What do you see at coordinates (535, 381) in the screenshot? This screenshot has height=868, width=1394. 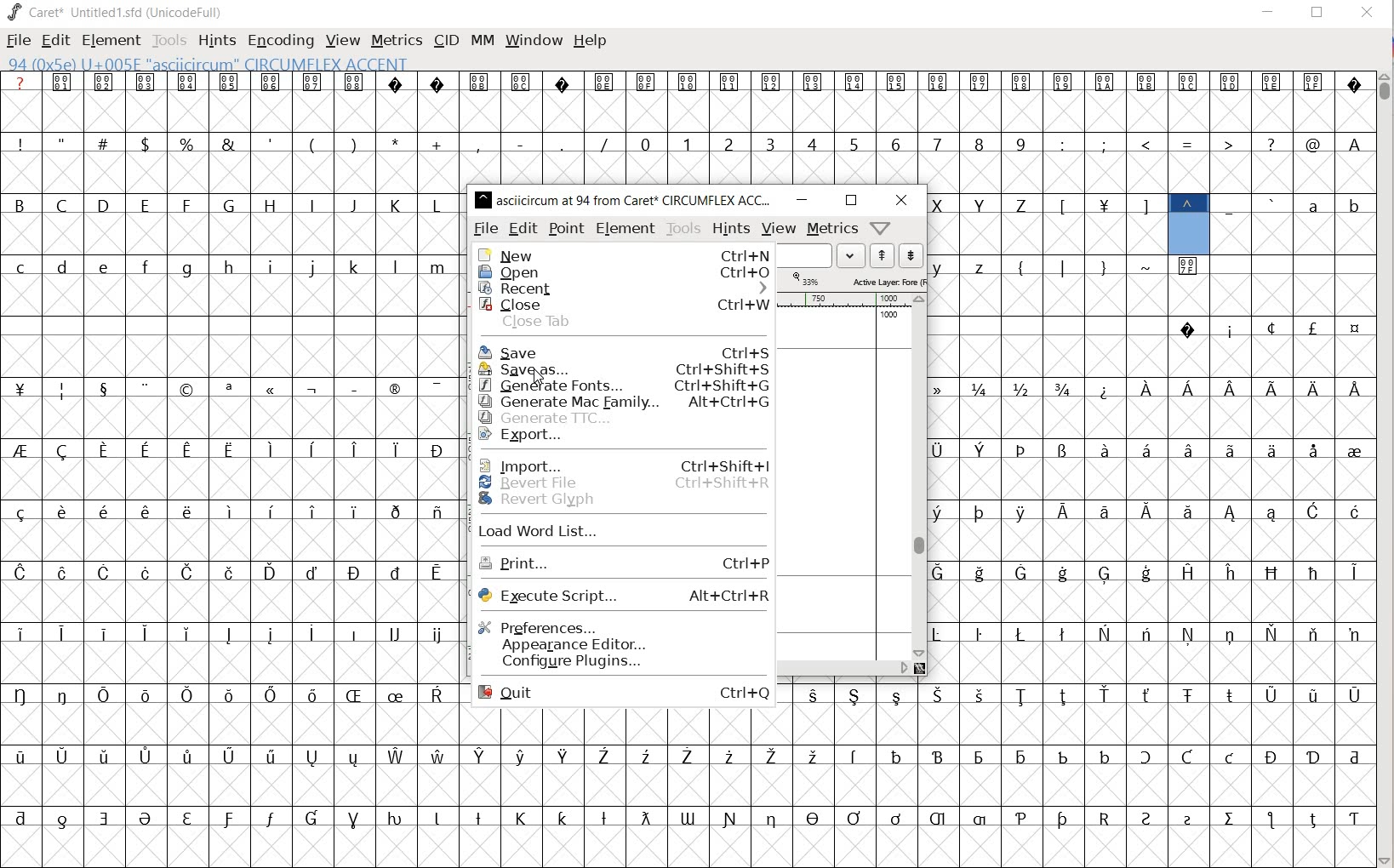 I see `cursor` at bounding box center [535, 381].